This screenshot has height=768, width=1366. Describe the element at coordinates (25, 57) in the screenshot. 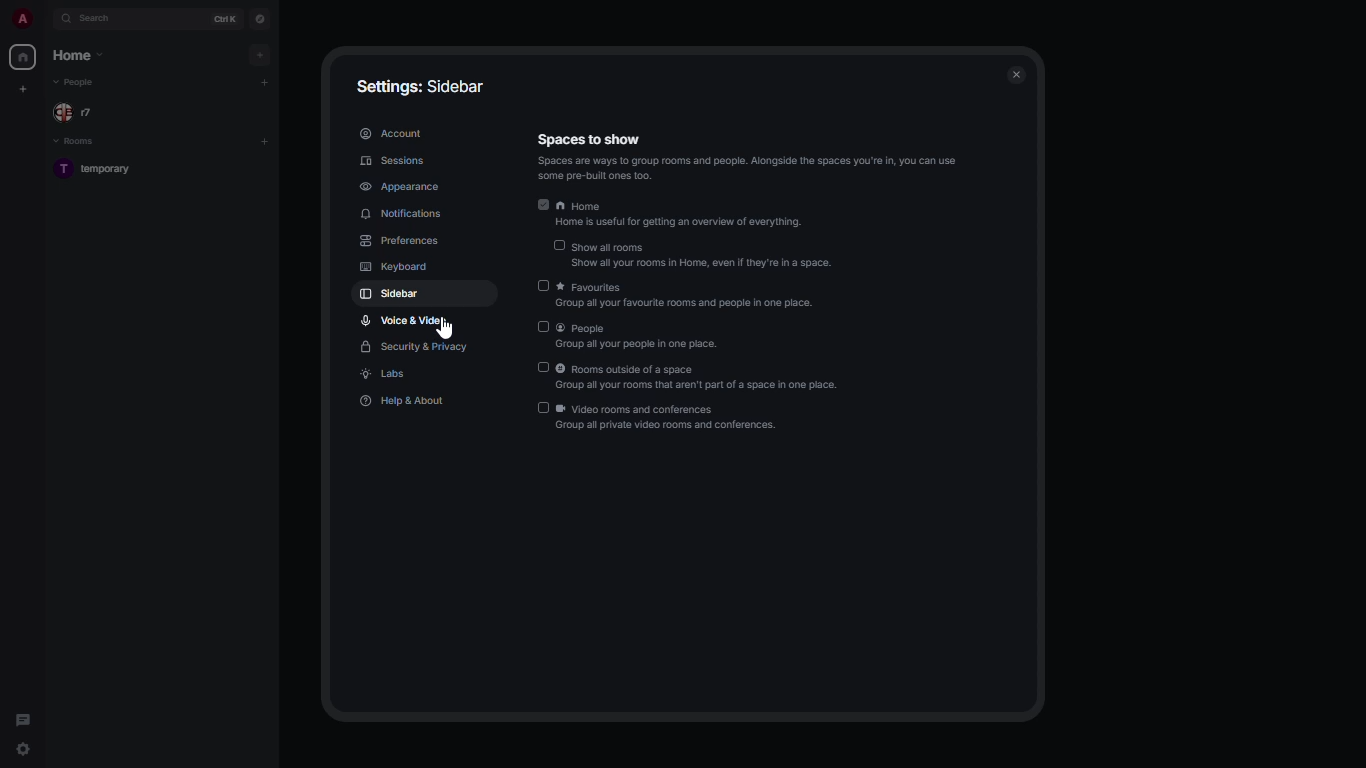

I see `home` at that location.